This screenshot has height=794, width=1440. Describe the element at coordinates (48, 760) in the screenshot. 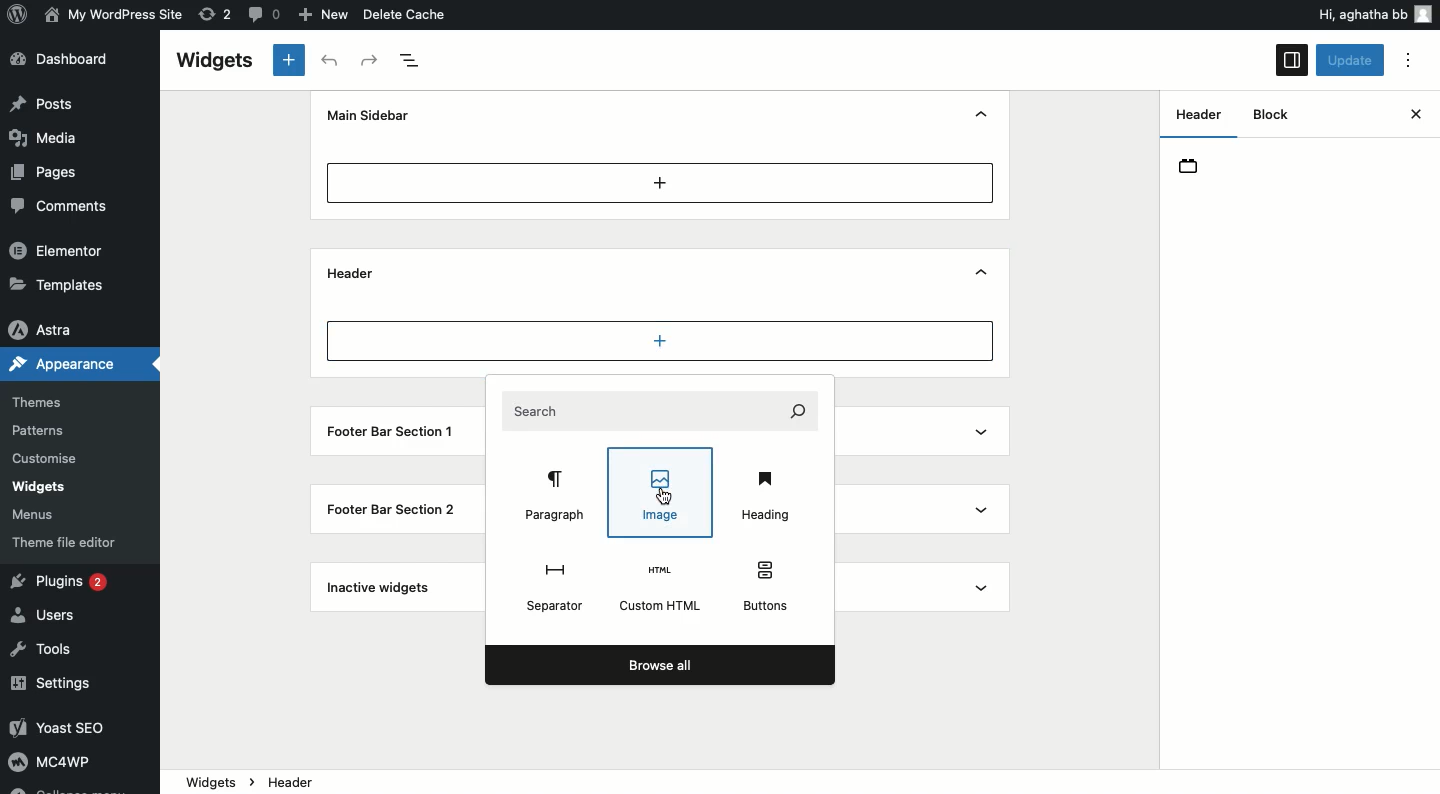

I see `MC4WP` at that location.